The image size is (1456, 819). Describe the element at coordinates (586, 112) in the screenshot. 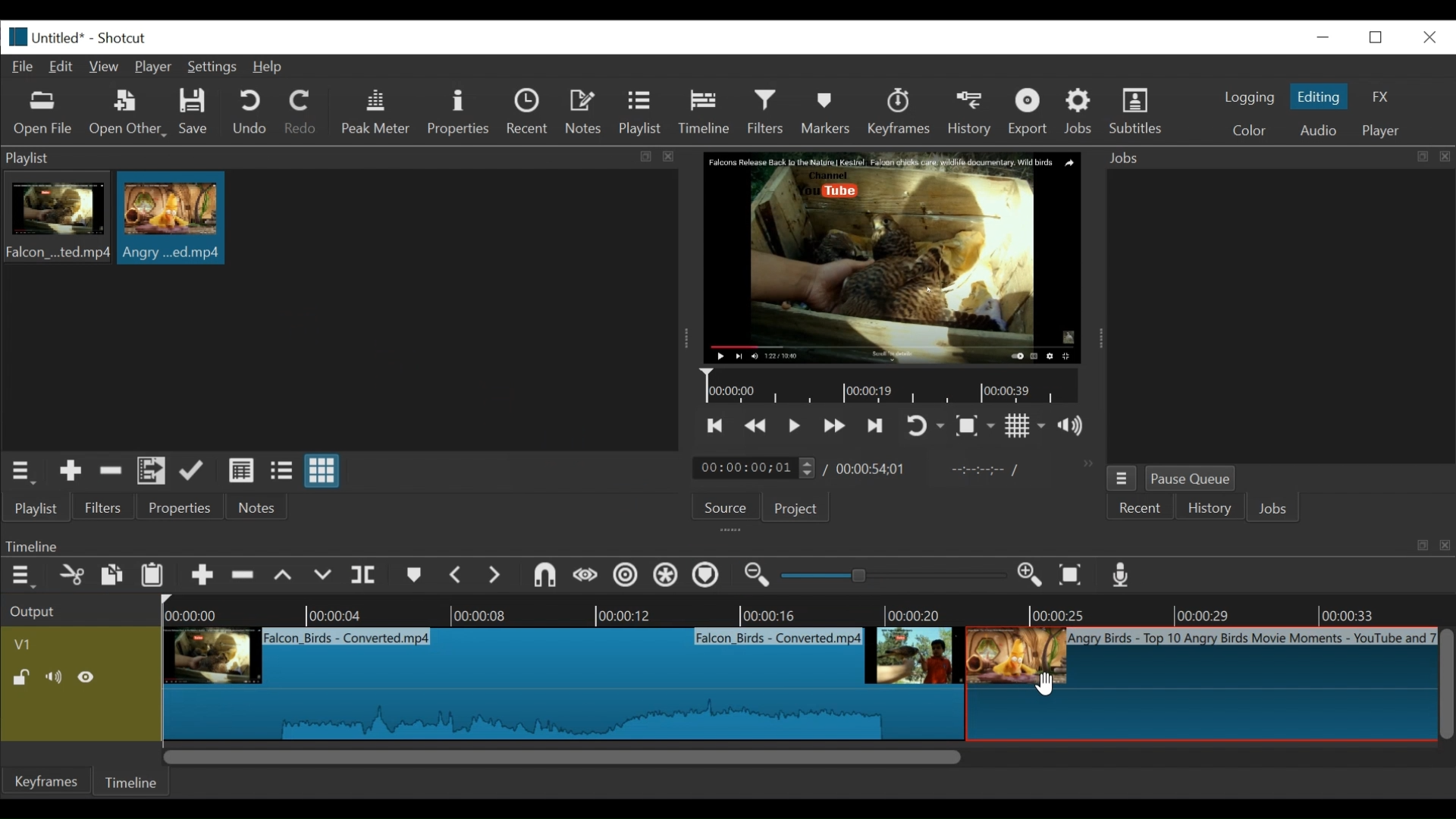

I see `Notes` at that location.